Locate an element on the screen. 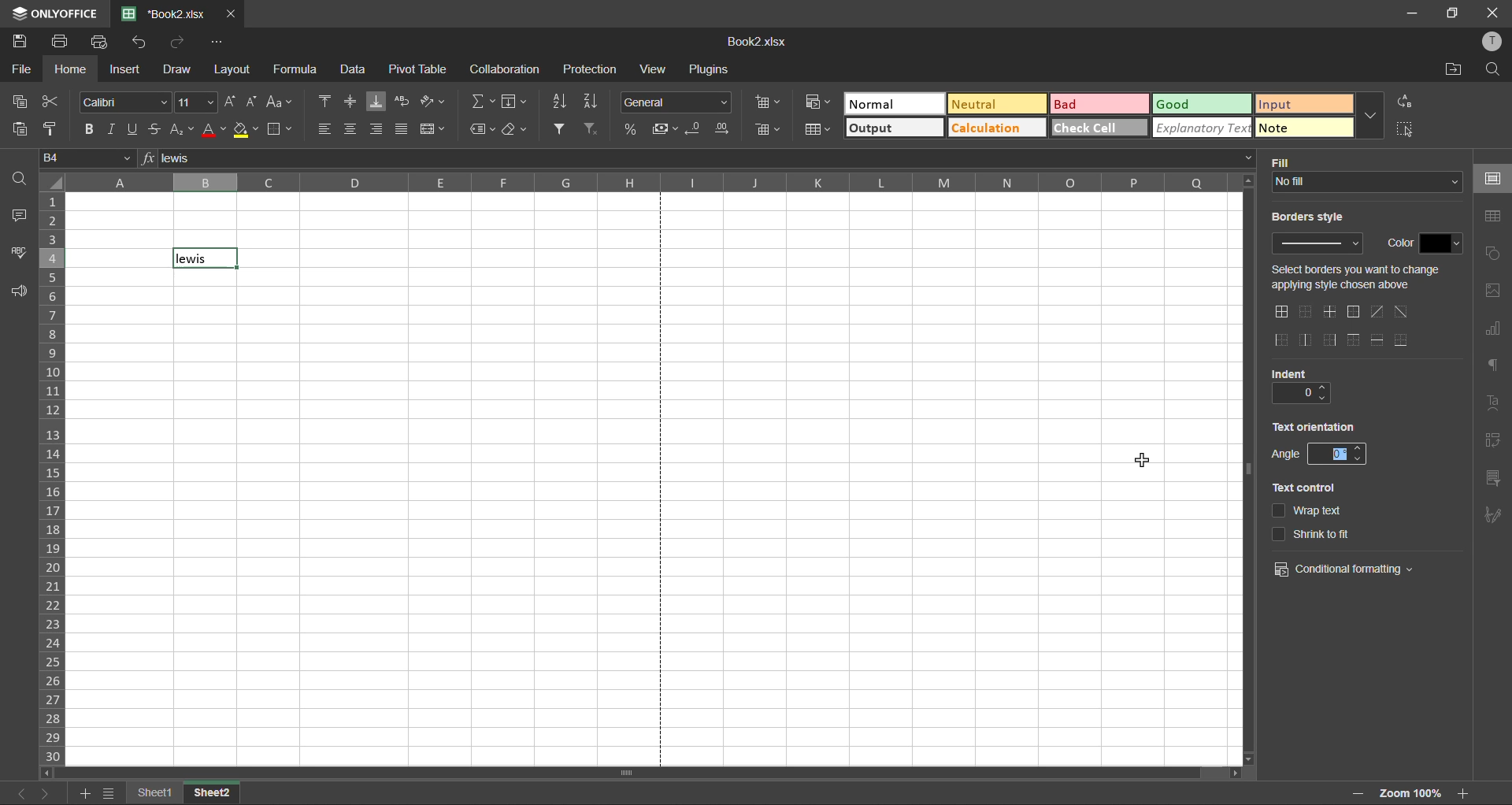  images is located at coordinates (1492, 291).